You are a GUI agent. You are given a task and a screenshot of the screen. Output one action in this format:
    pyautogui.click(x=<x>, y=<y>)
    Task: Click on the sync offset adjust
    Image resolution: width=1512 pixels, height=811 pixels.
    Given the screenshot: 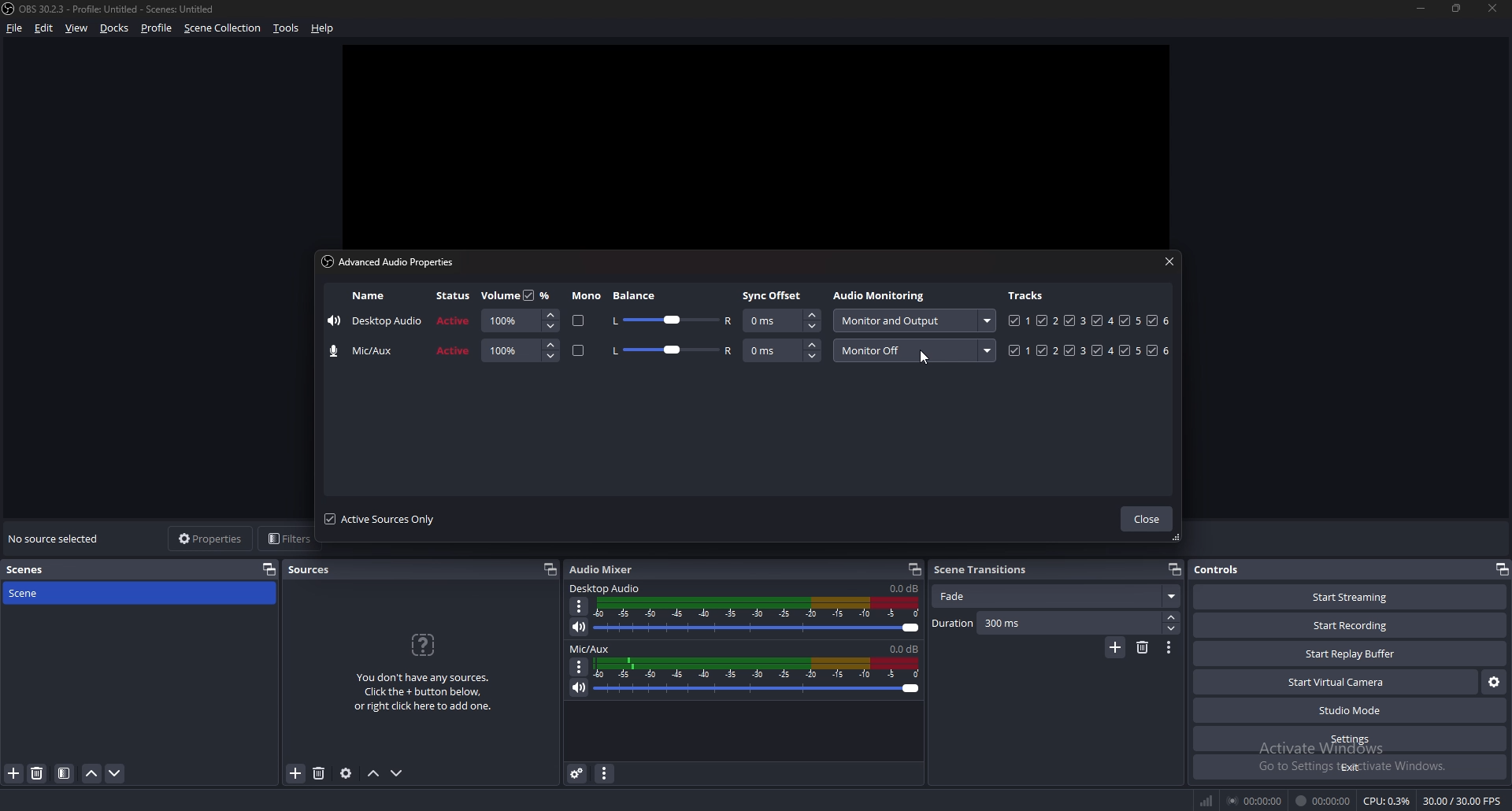 What is the action you would take?
    pyautogui.click(x=781, y=320)
    